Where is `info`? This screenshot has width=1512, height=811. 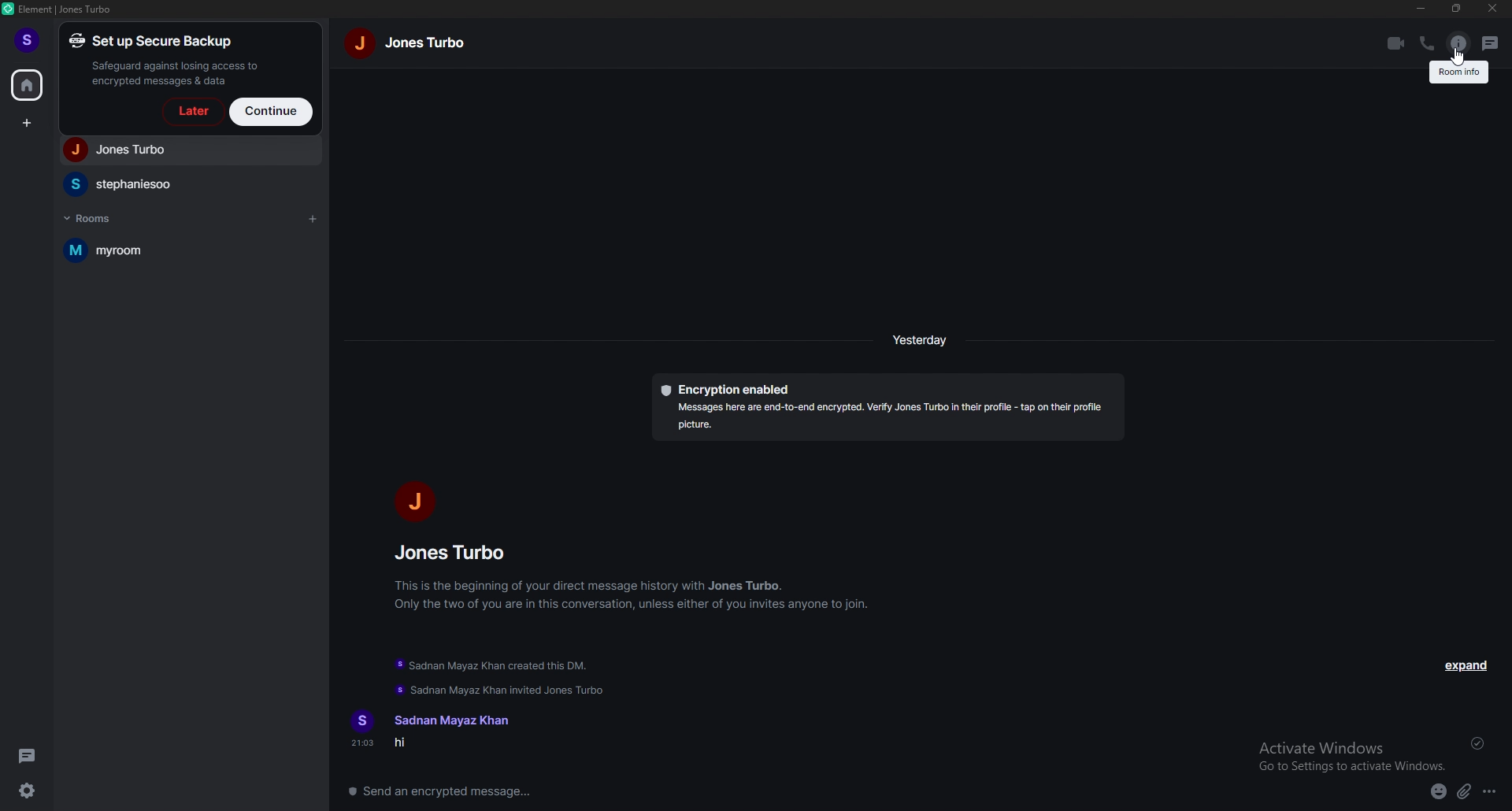
info is located at coordinates (634, 594).